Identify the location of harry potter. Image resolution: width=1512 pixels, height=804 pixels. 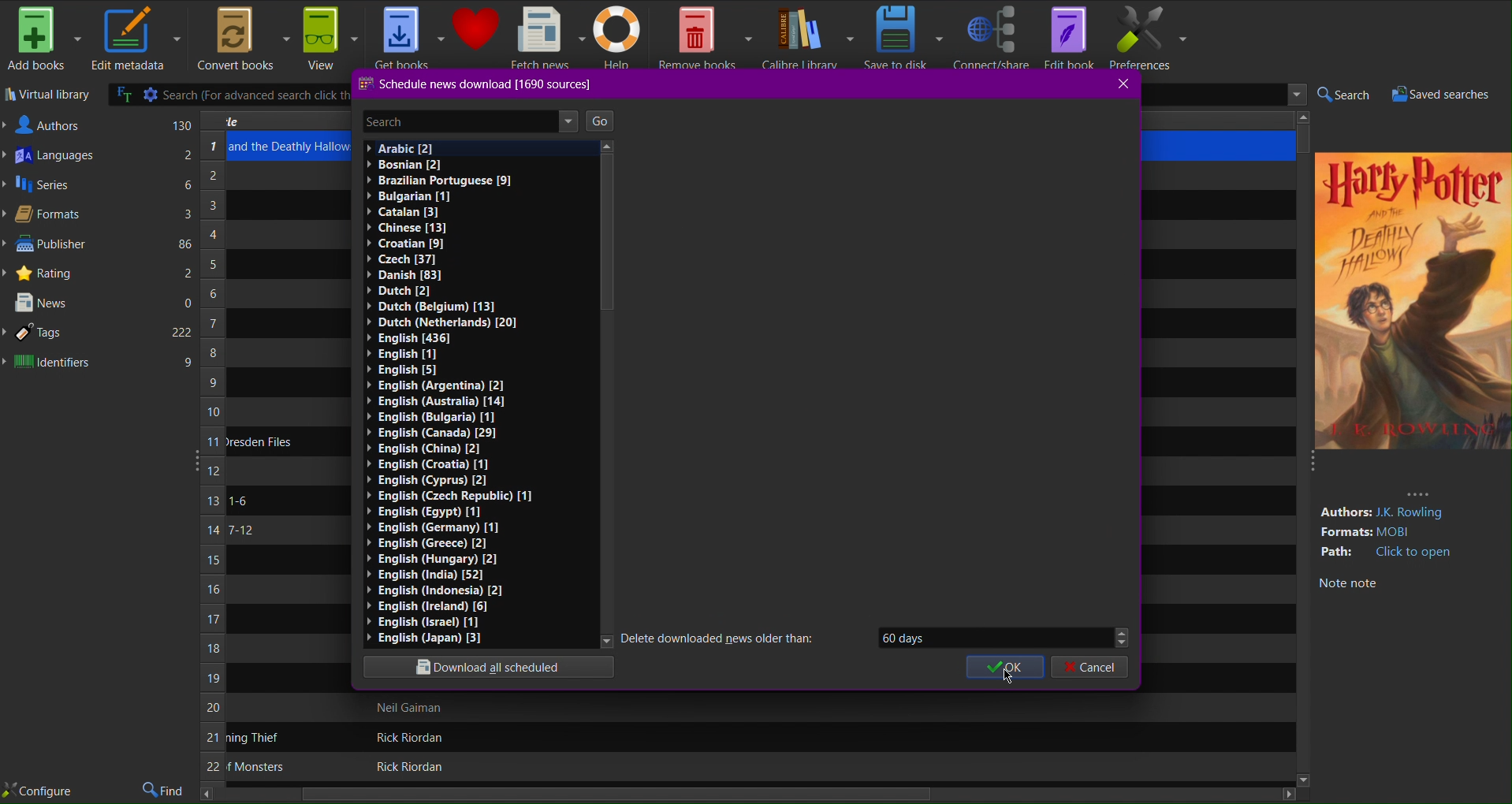
(1410, 181).